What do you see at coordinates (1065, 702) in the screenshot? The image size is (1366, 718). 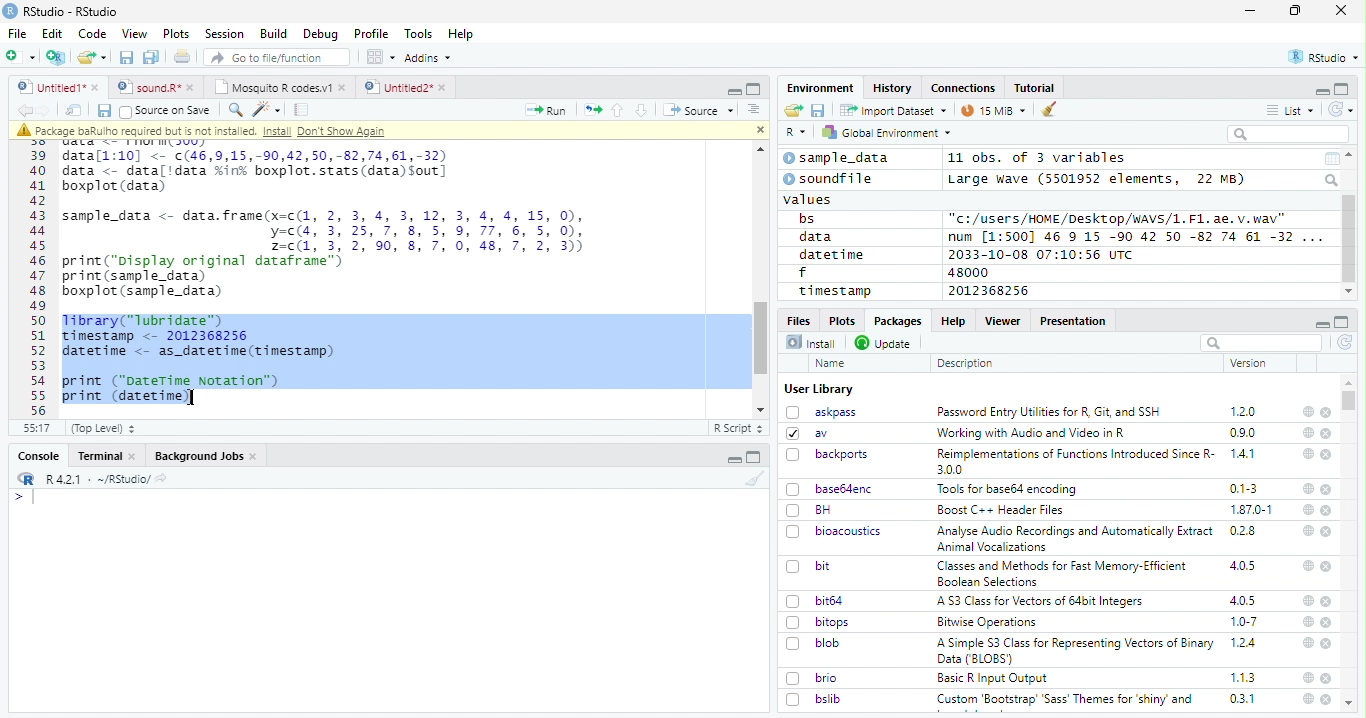 I see `Custom ‘Bootstrap’ ‘Sass’ Themes for ‘shiny’ and` at bounding box center [1065, 702].